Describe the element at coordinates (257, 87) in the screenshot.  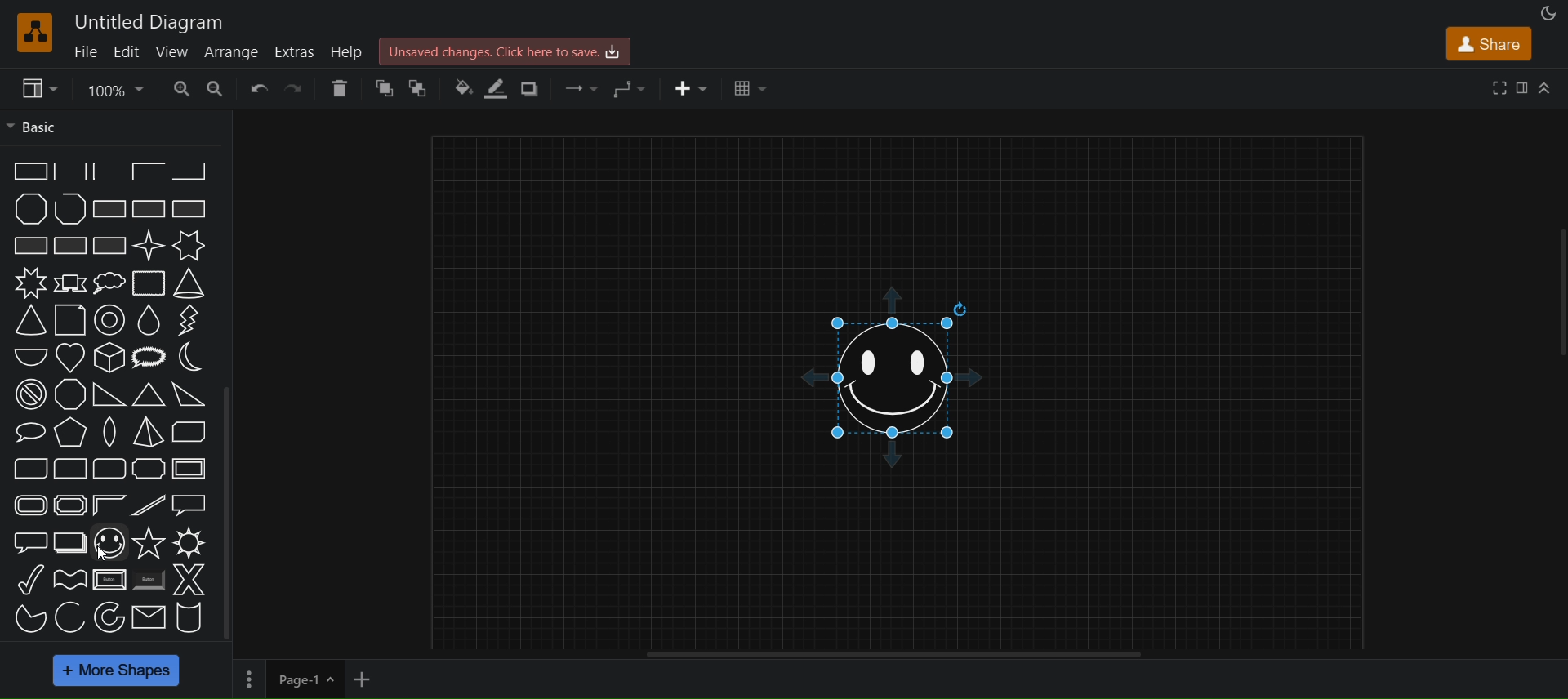
I see `undo` at that location.